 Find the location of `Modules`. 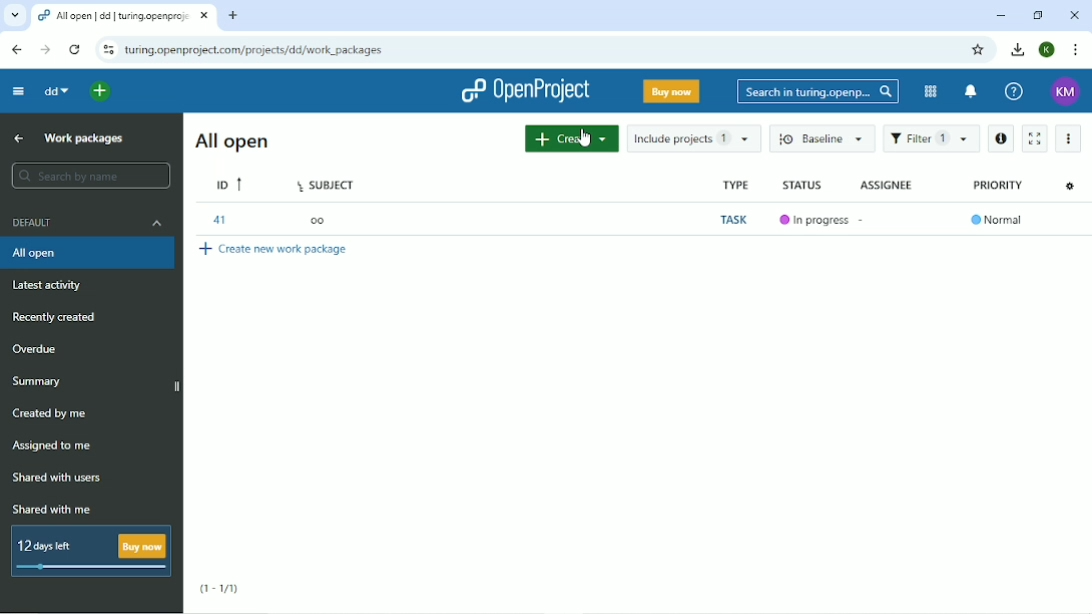

Modules is located at coordinates (929, 92).